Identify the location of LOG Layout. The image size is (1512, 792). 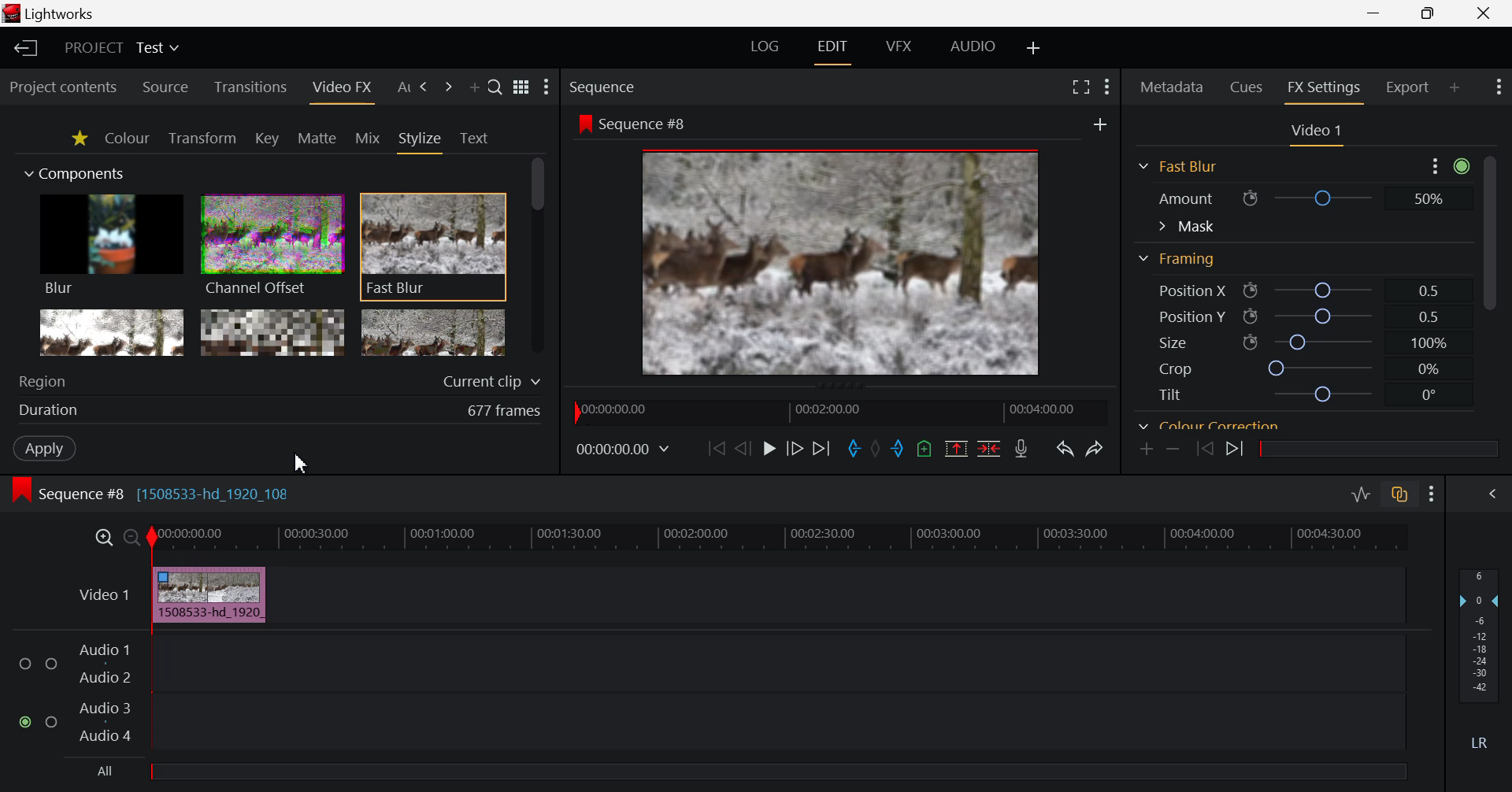
(765, 50).